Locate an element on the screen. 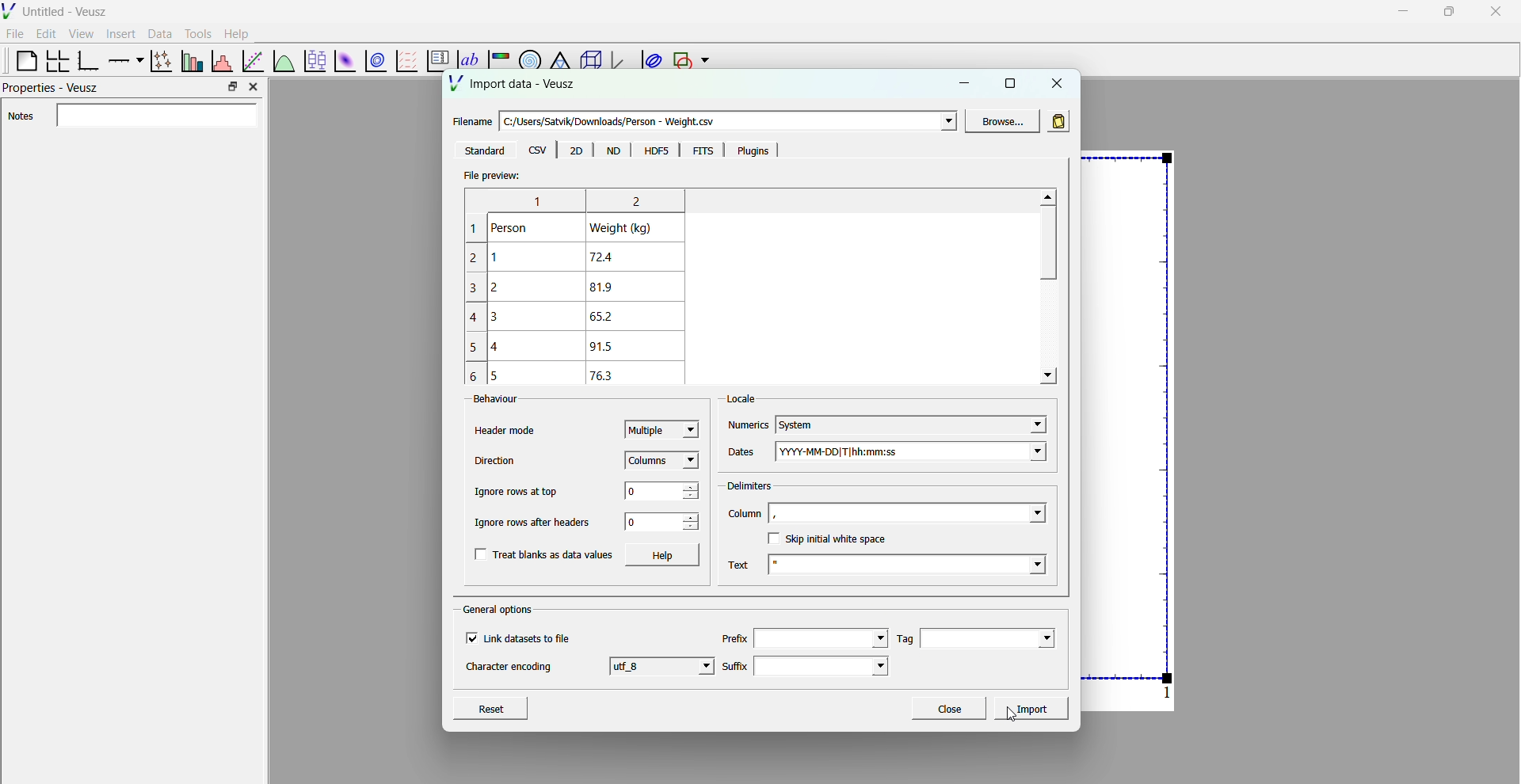  Column is located at coordinates (745, 515).